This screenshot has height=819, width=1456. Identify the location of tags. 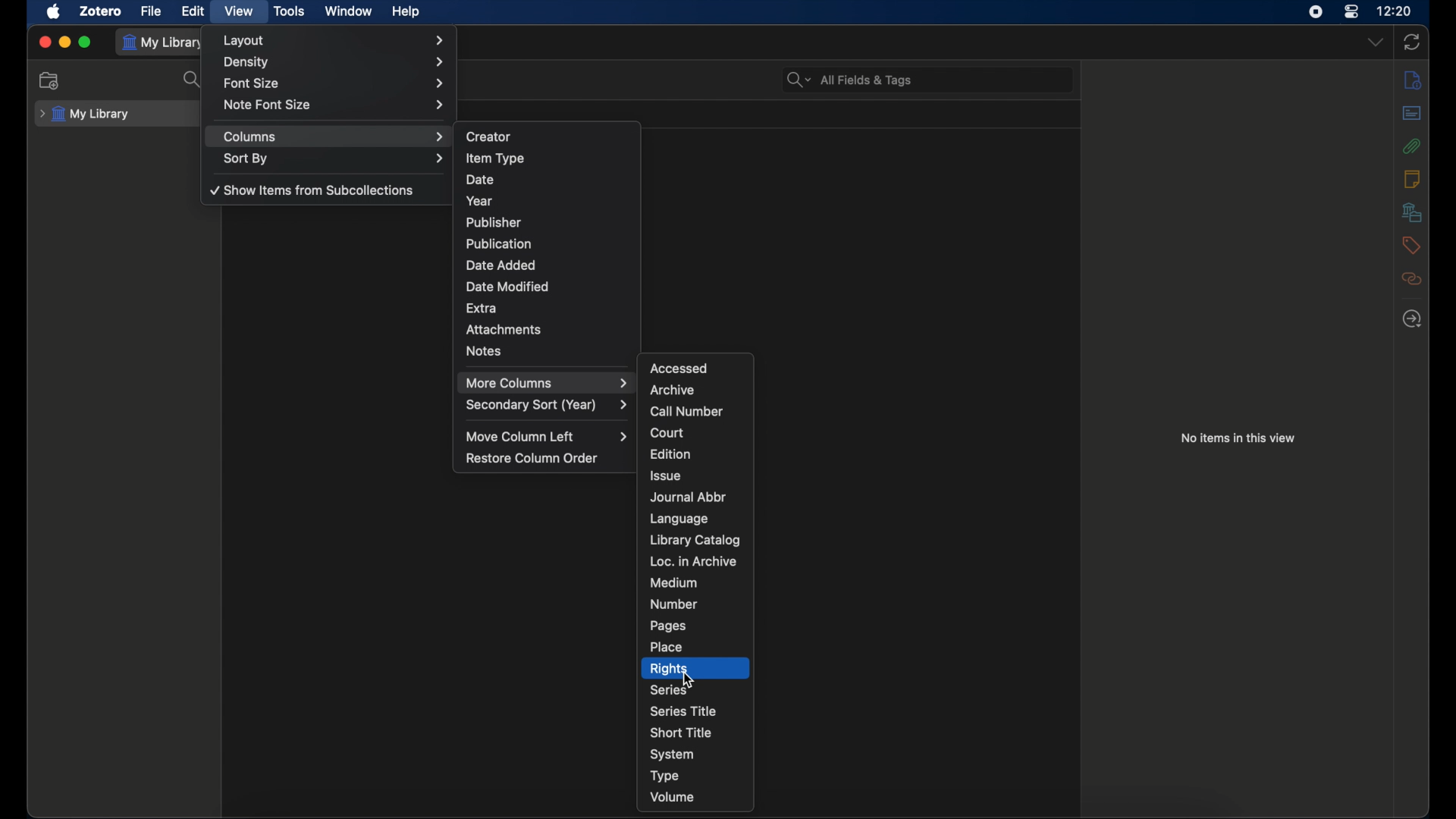
(1410, 246).